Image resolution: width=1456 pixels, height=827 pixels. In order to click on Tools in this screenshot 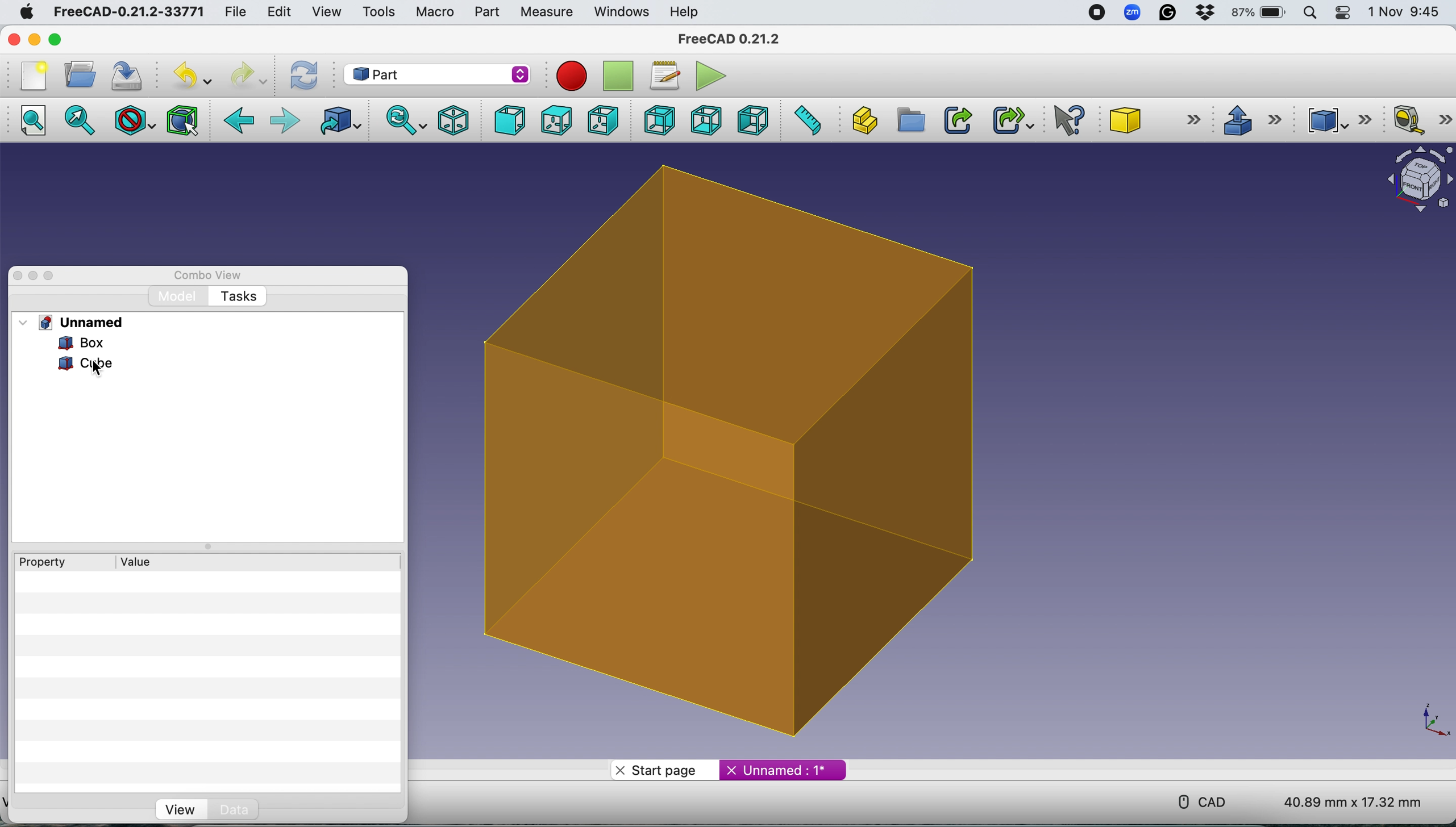, I will do `click(378, 11)`.